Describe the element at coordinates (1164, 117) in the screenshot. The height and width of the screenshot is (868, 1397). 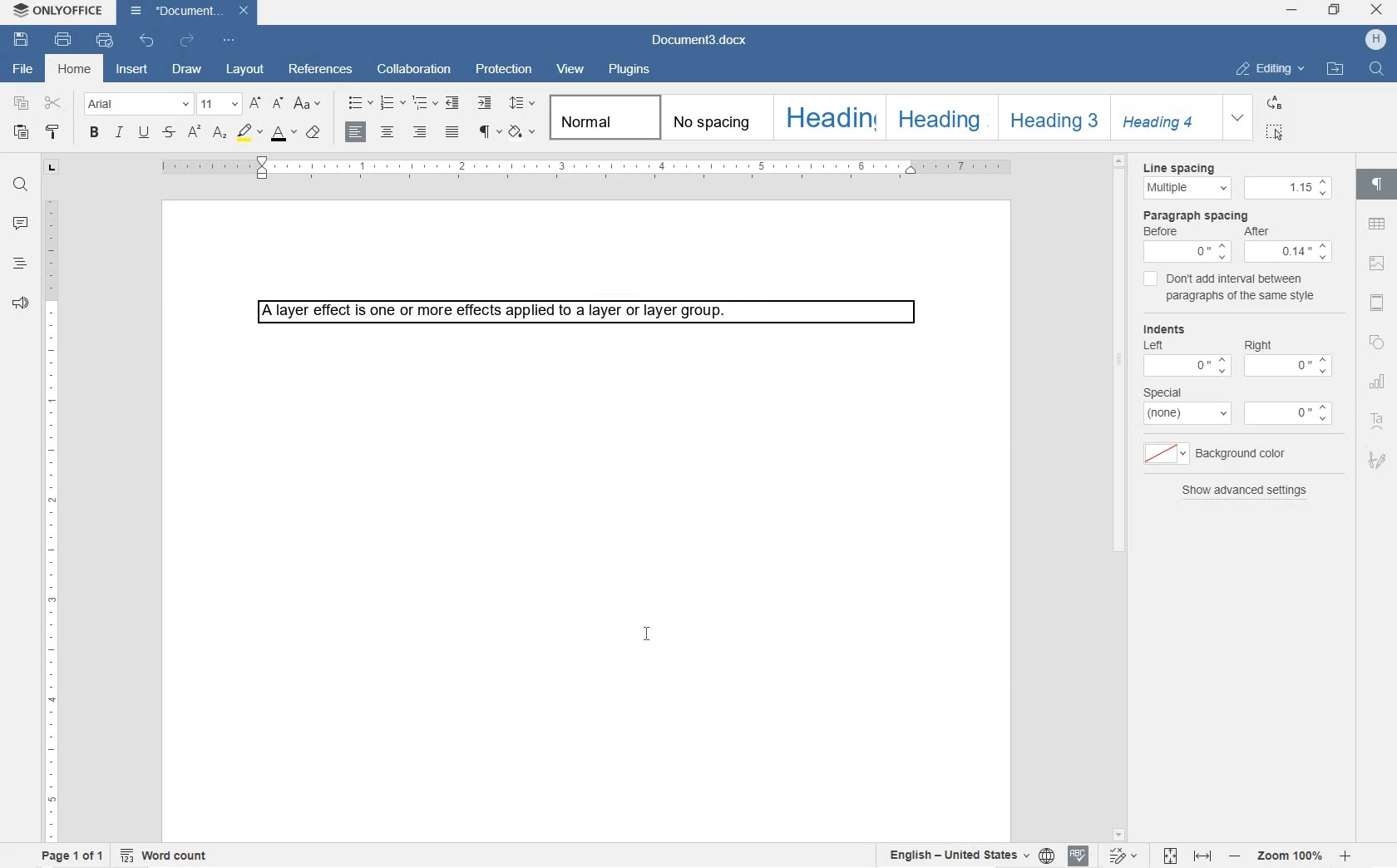
I see `HEADING 4` at that location.